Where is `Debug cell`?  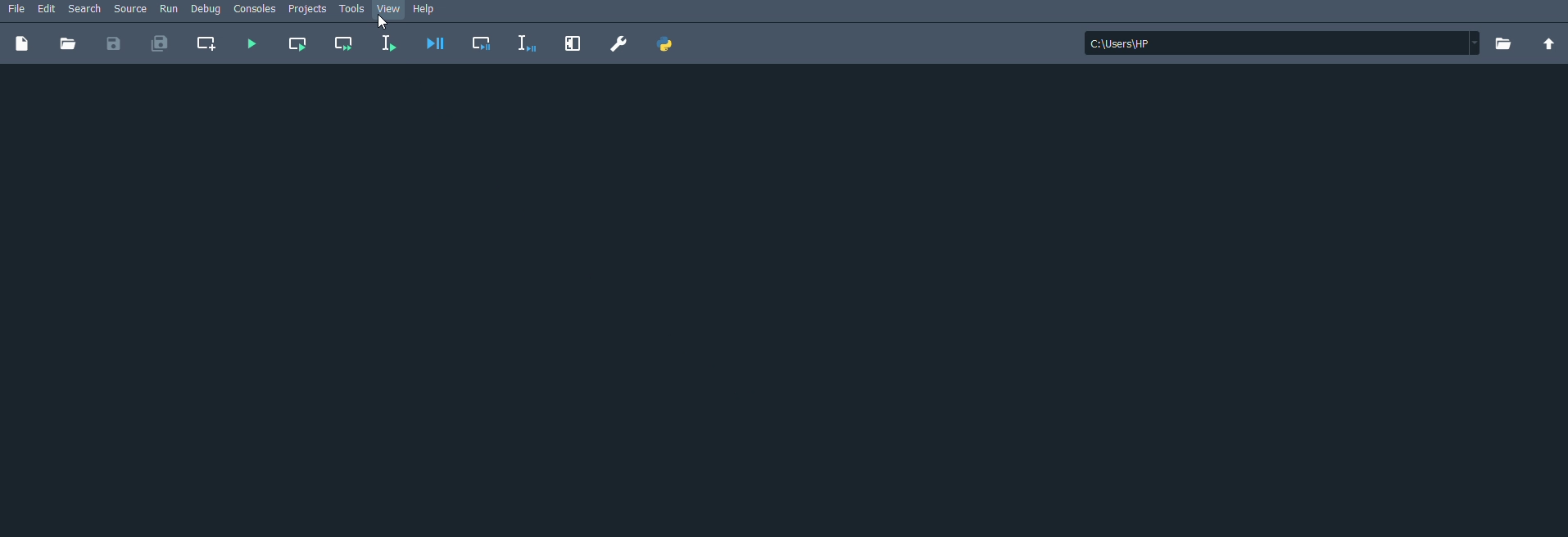
Debug cell is located at coordinates (483, 43).